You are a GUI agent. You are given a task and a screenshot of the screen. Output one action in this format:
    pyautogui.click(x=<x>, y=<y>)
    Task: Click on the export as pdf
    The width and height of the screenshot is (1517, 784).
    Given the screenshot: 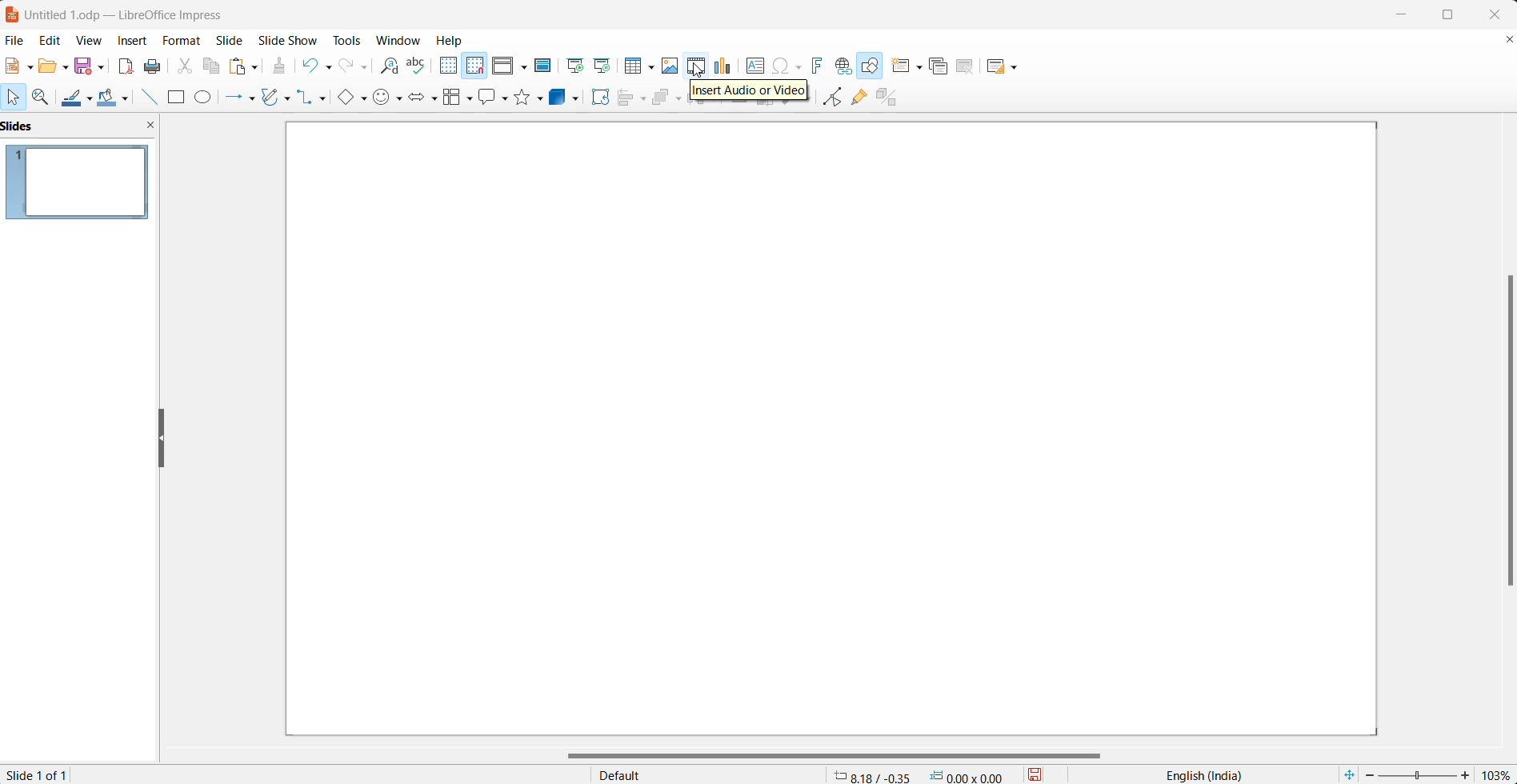 What is the action you would take?
    pyautogui.click(x=126, y=66)
    